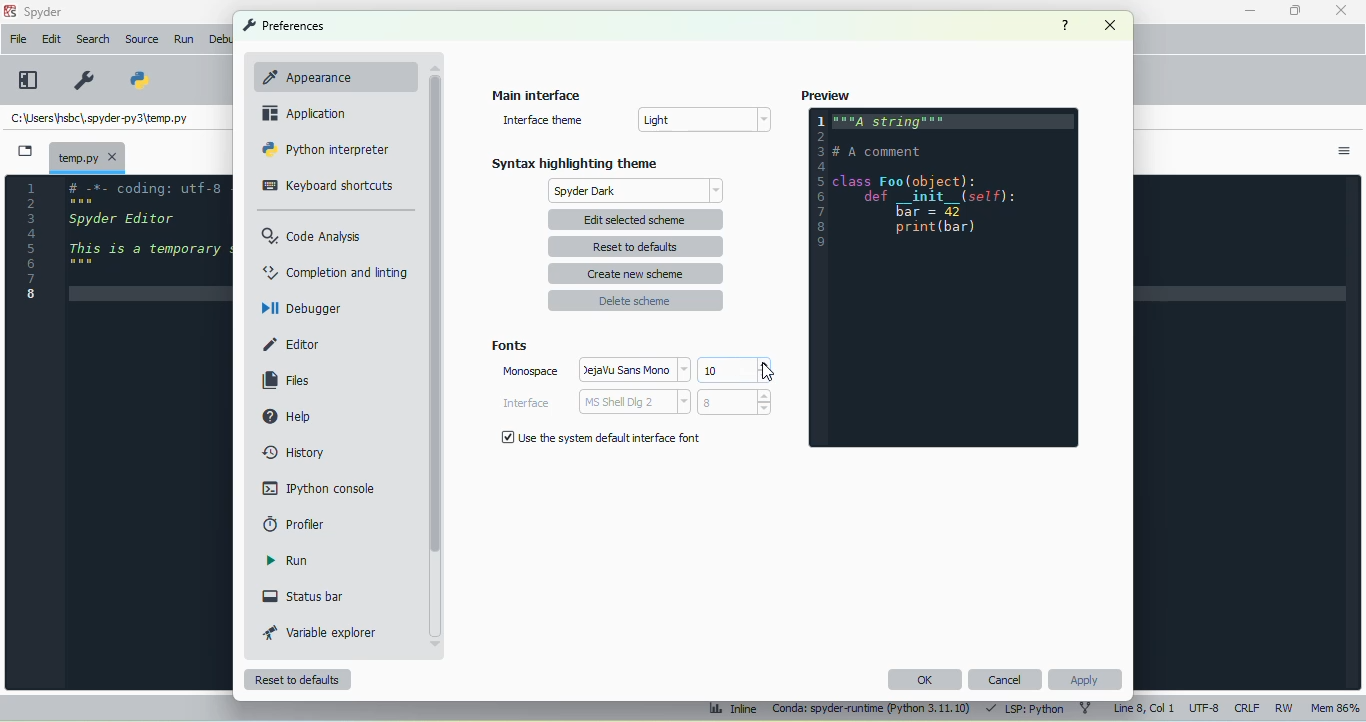 This screenshot has width=1366, height=722. What do you see at coordinates (31, 240) in the screenshot?
I see `line numbers` at bounding box center [31, 240].